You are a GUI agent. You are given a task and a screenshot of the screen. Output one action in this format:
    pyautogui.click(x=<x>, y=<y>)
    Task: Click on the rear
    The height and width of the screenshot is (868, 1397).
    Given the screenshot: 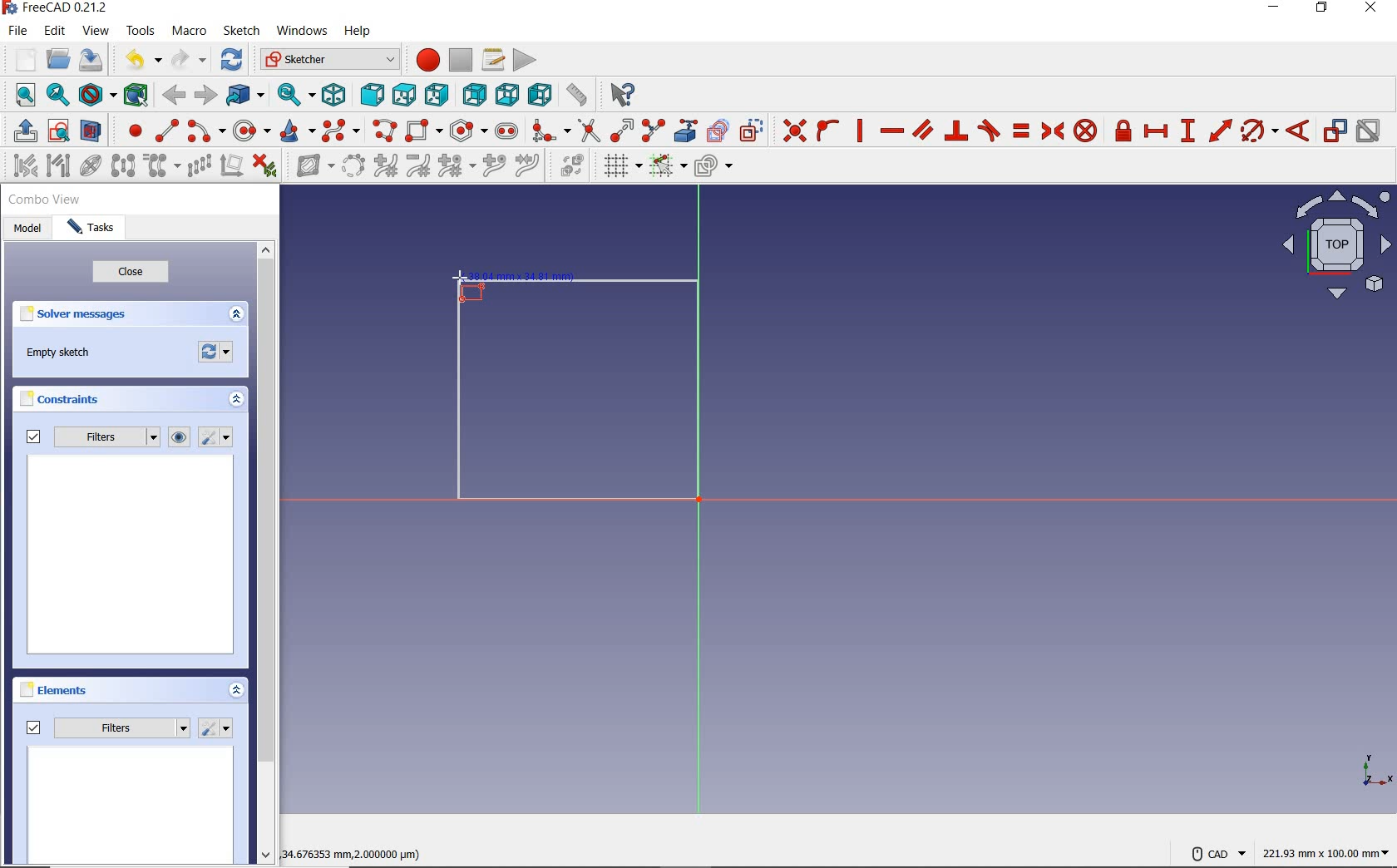 What is the action you would take?
    pyautogui.click(x=475, y=94)
    